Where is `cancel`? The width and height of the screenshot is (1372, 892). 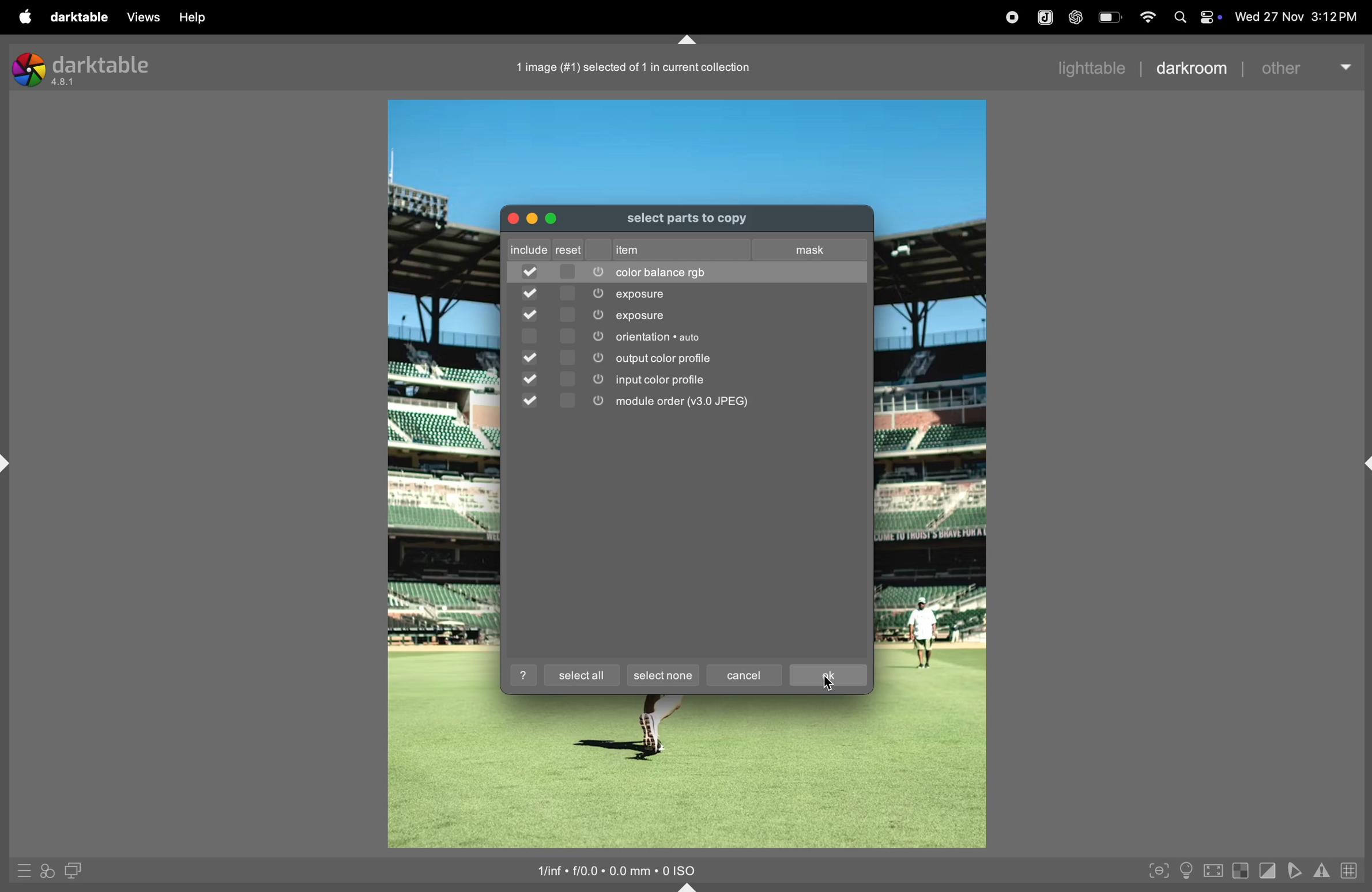 cancel is located at coordinates (745, 674).